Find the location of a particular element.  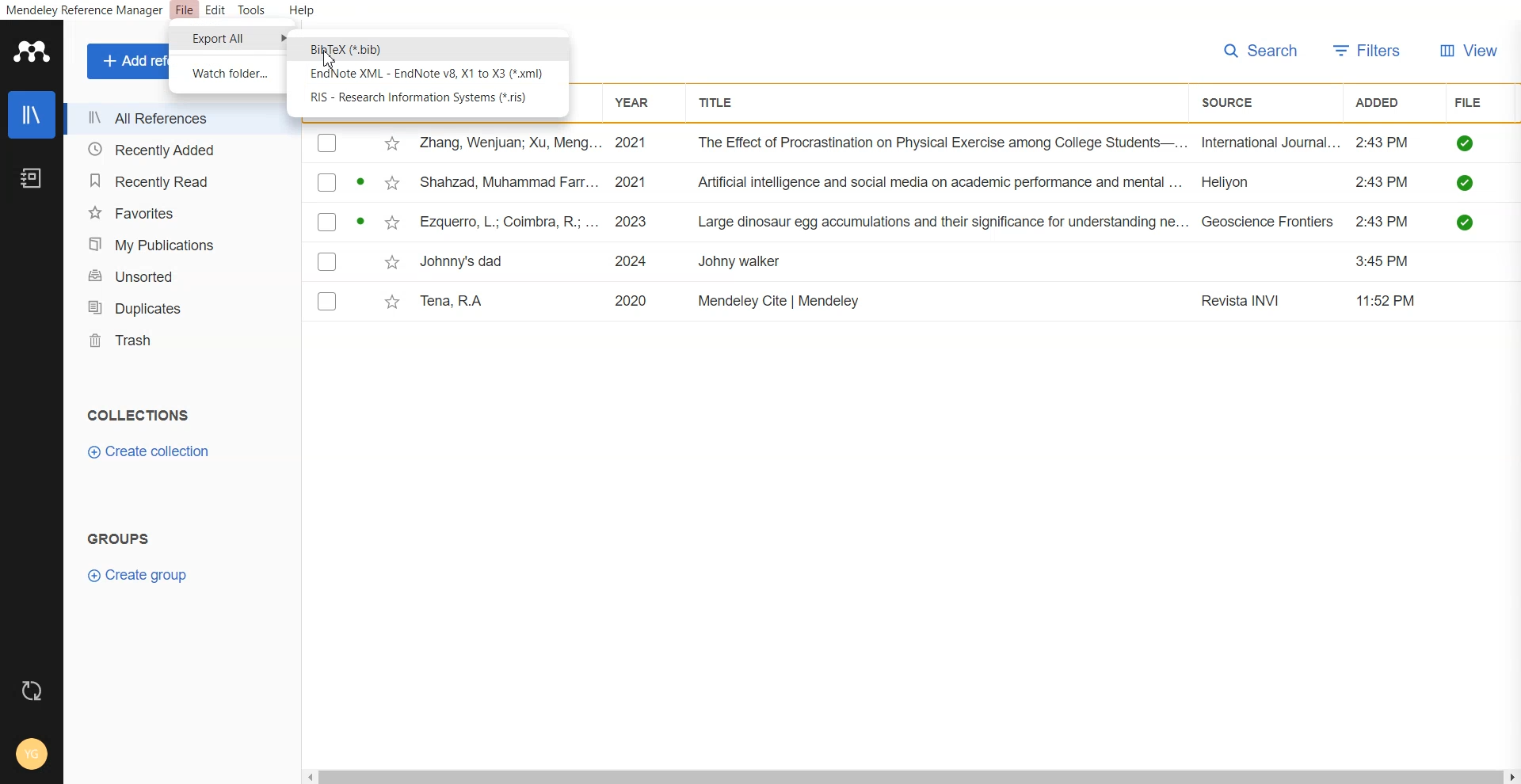

Cursor is located at coordinates (330, 59).